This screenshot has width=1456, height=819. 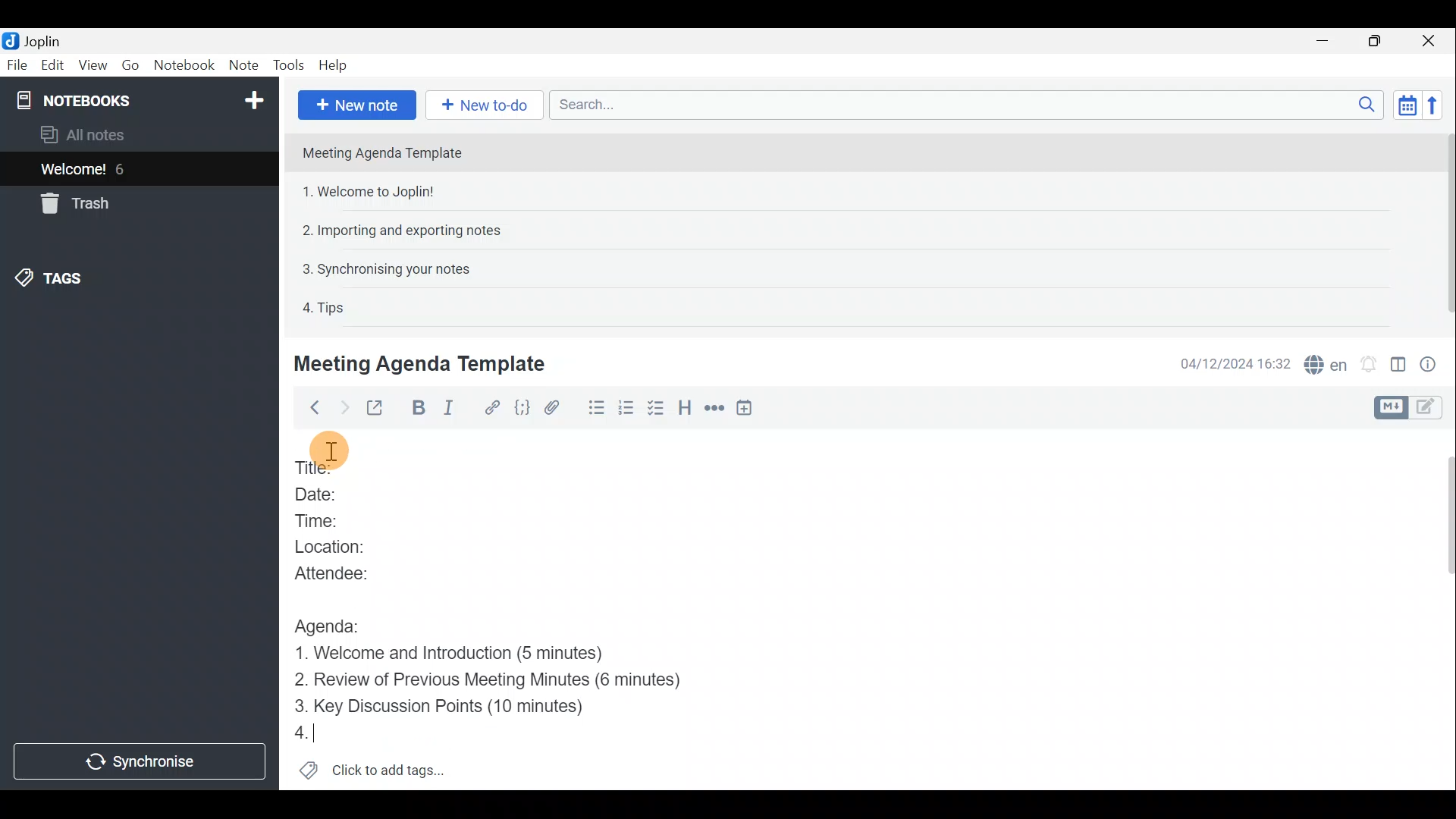 What do you see at coordinates (136, 760) in the screenshot?
I see `Synchronise` at bounding box center [136, 760].